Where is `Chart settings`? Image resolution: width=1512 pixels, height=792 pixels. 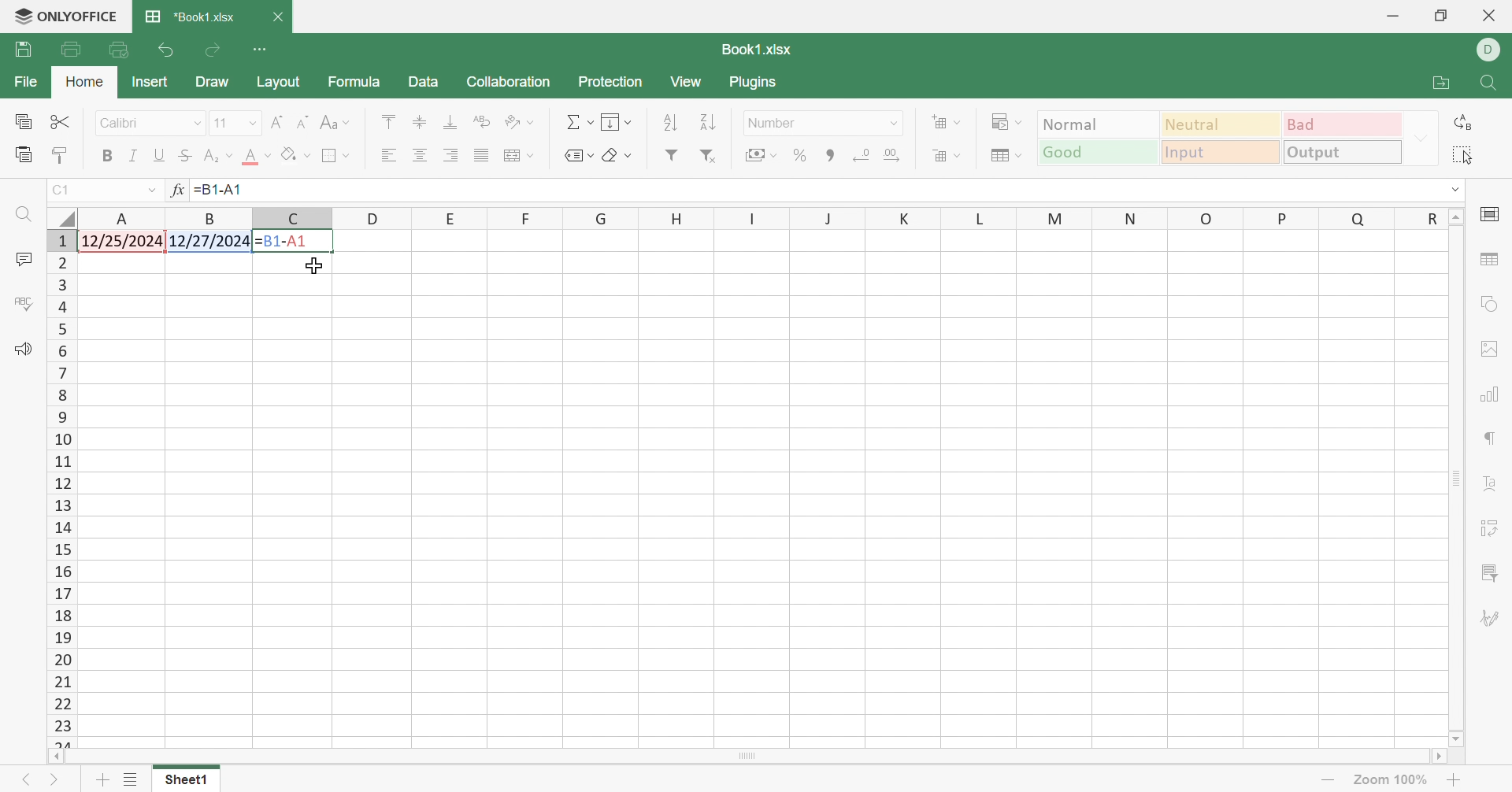
Chart settings is located at coordinates (1490, 393).